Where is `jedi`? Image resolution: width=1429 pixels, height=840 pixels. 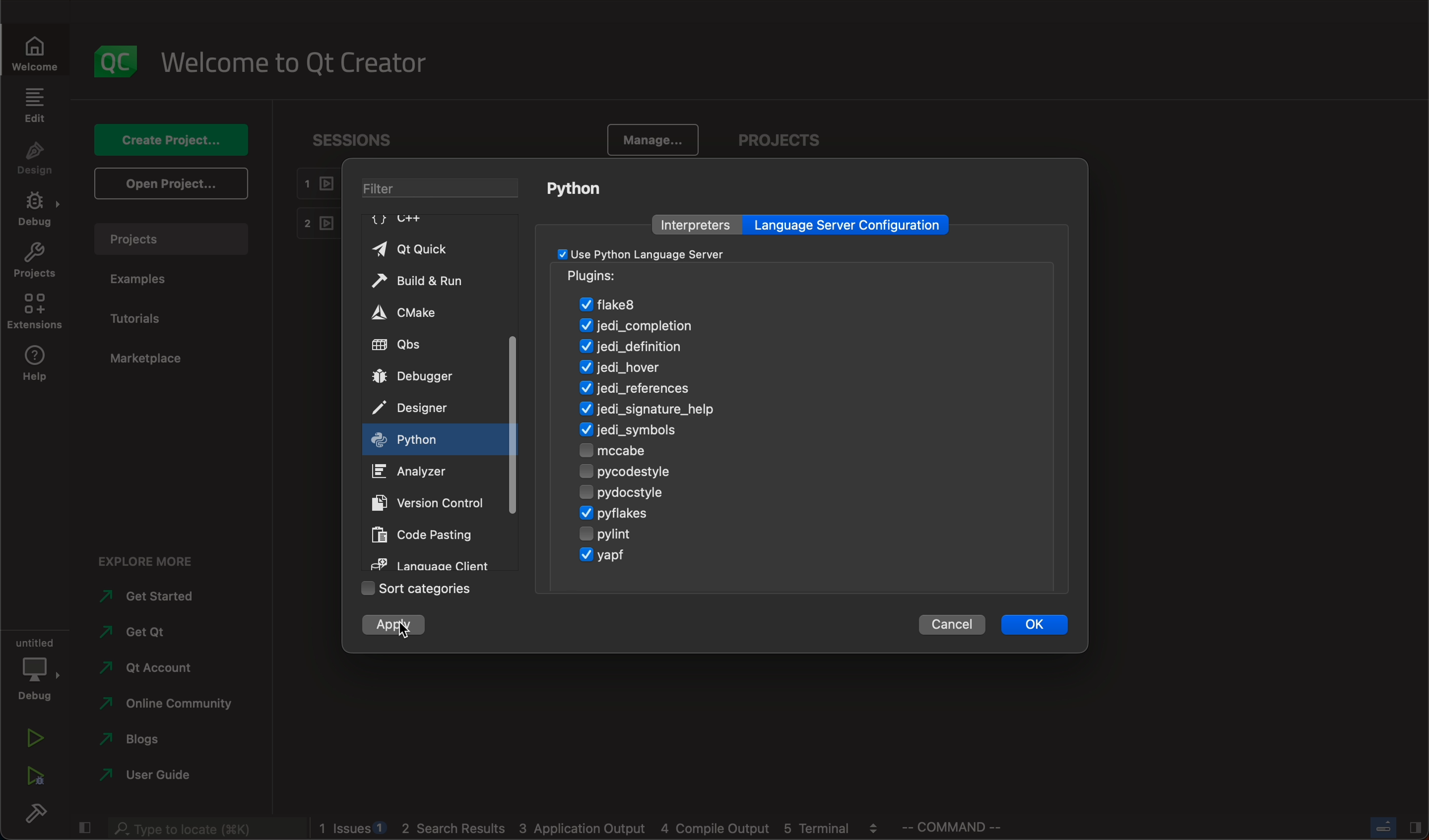 jedi is located at coordinates (661, 325).